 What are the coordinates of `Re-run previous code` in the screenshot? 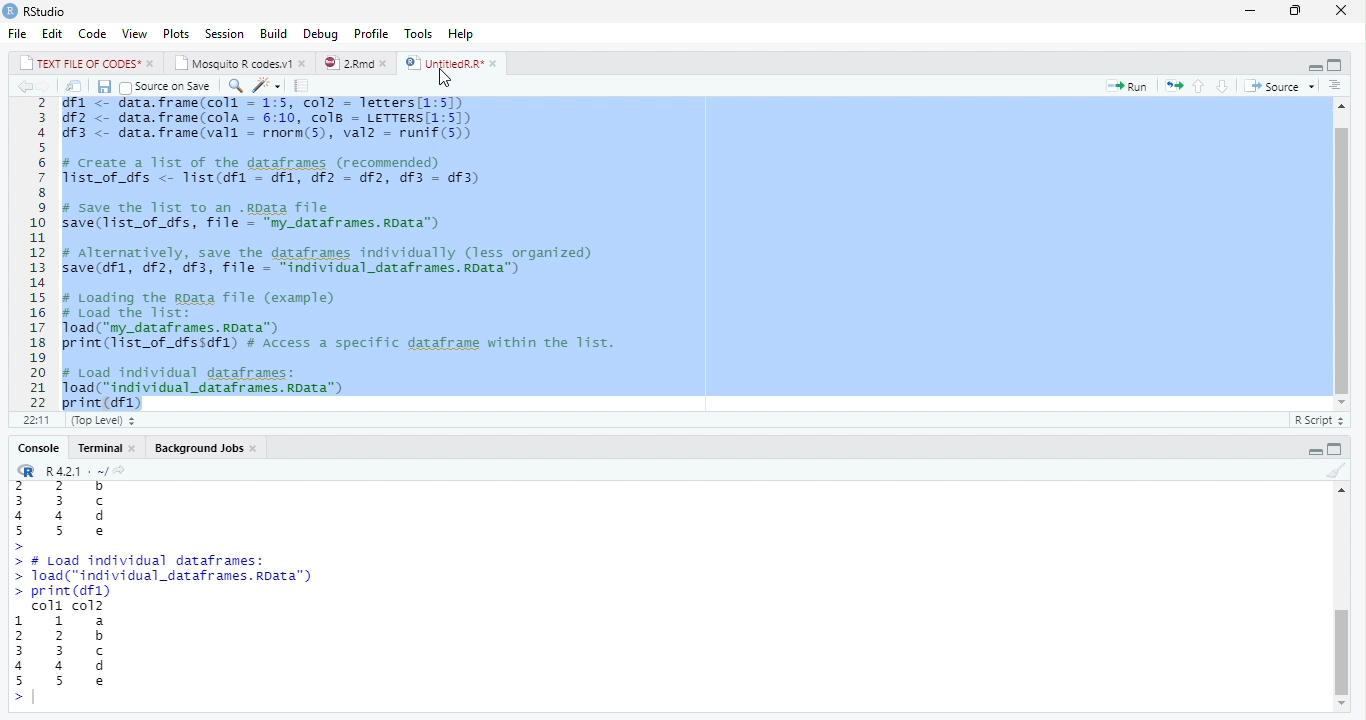 It's located at (1173, 85).